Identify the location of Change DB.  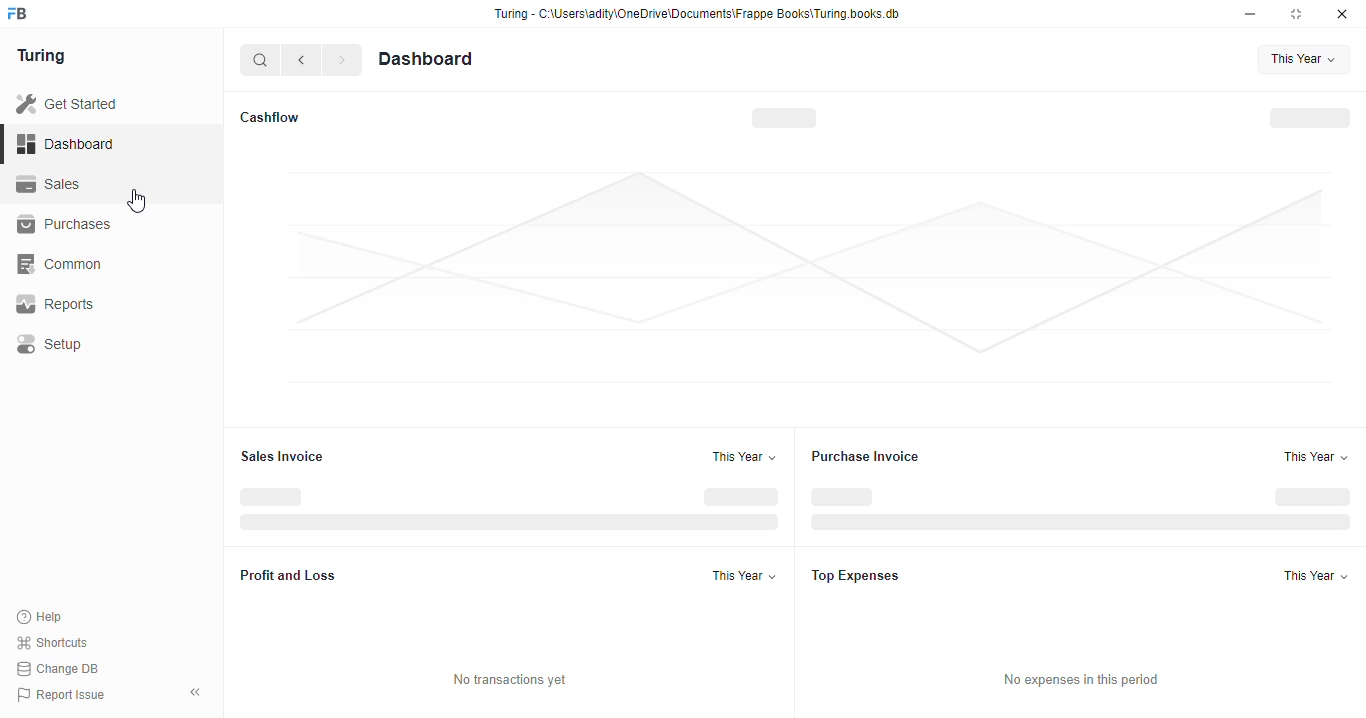
(62, 668).